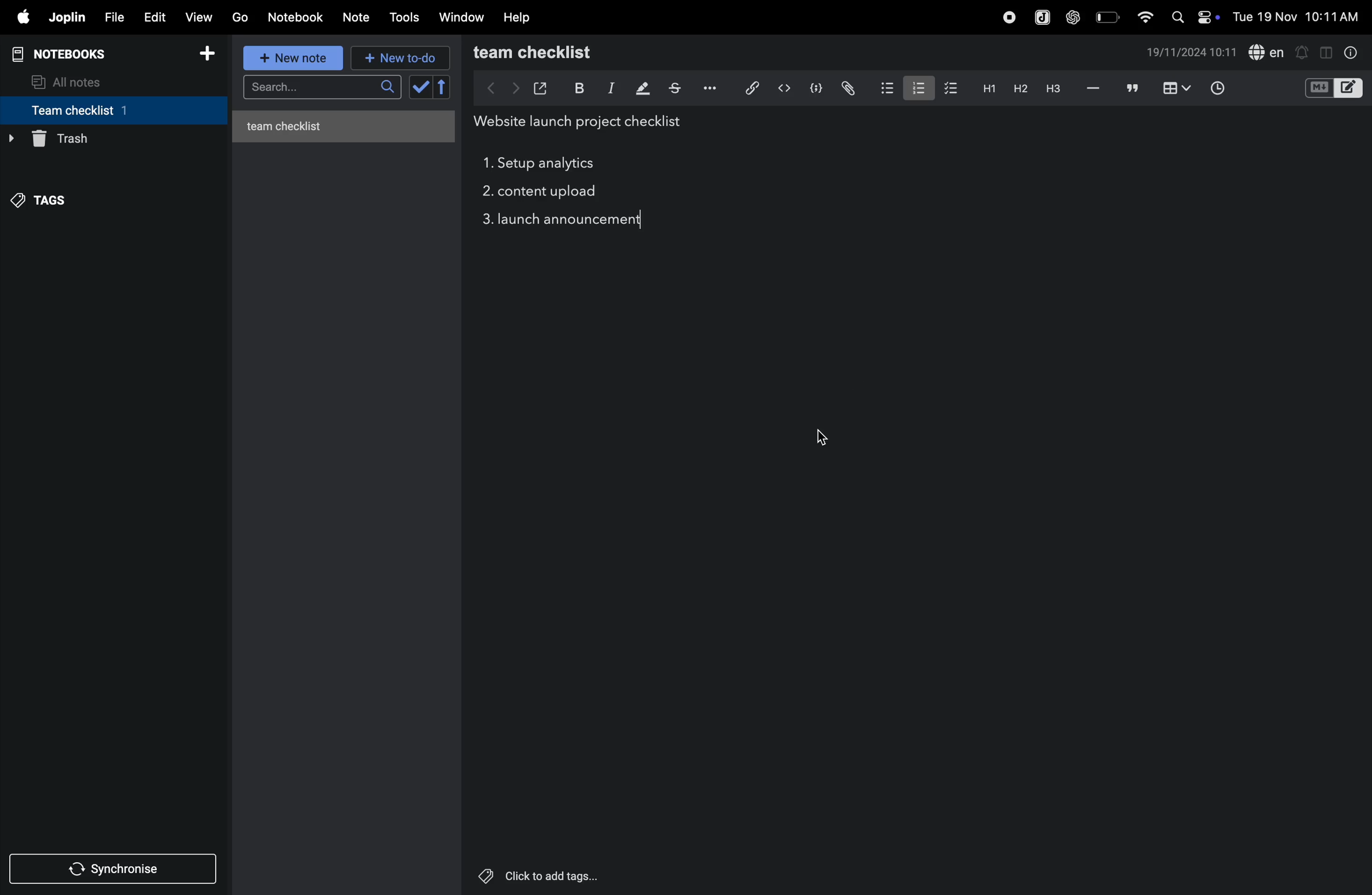 This screenshot has width=1372, height=895. I want to click on time, so click(1219, 87).